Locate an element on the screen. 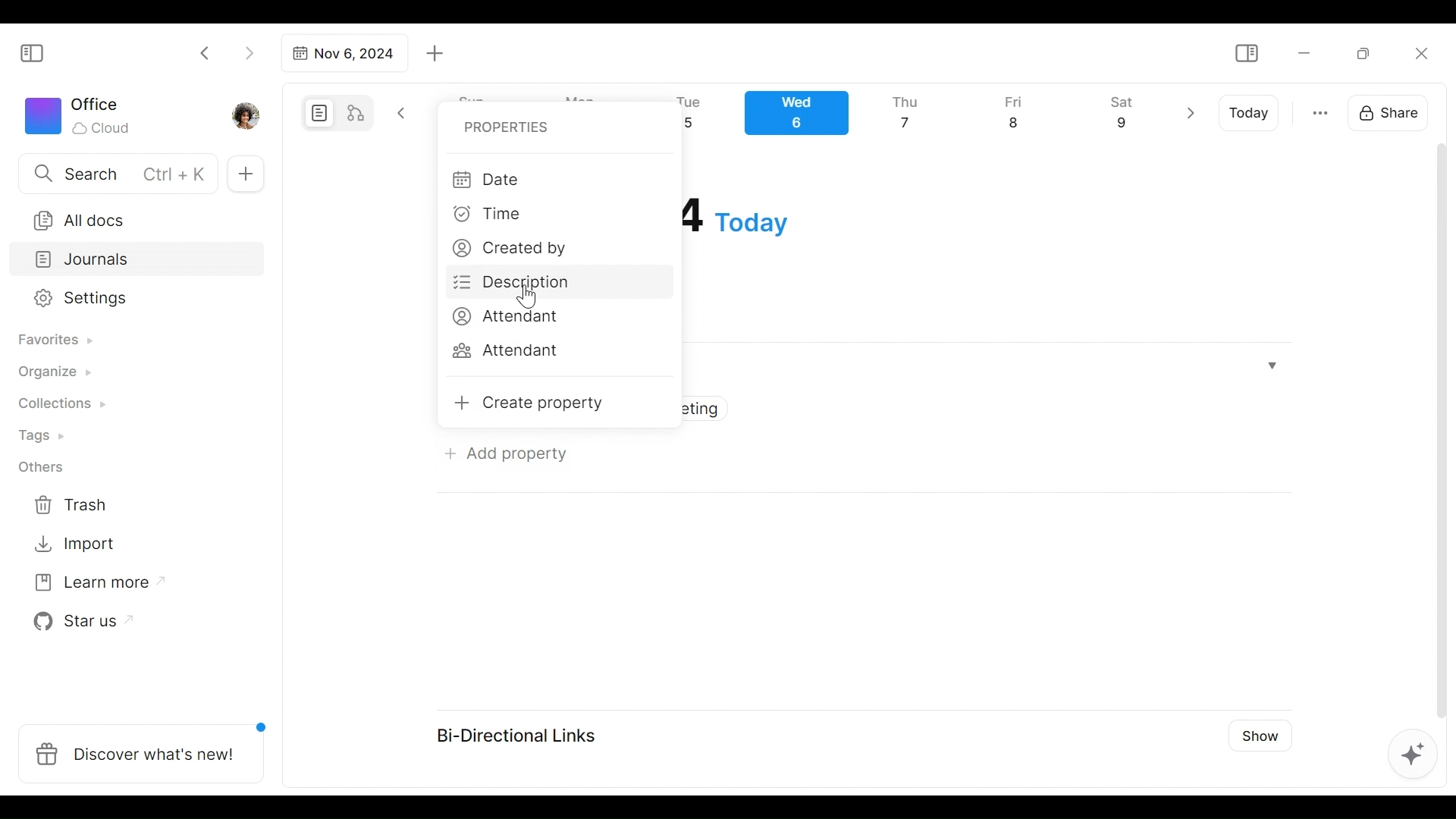 The height and width of the screenshot is (819, 1456). Settings is located at coordinates (125, 299).